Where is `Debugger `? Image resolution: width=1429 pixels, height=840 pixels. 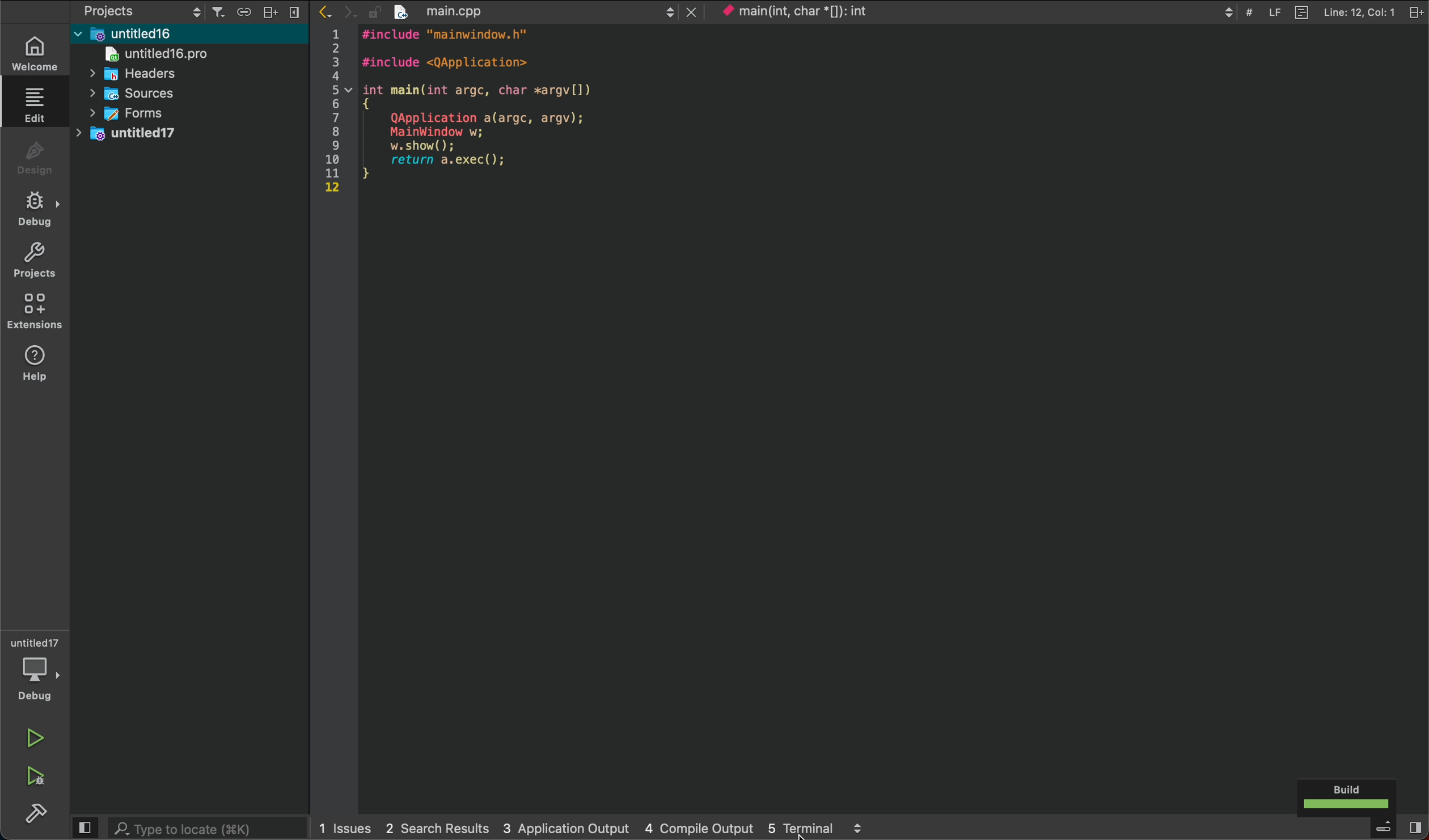 Debugger  is located at coordinates (36, 668).